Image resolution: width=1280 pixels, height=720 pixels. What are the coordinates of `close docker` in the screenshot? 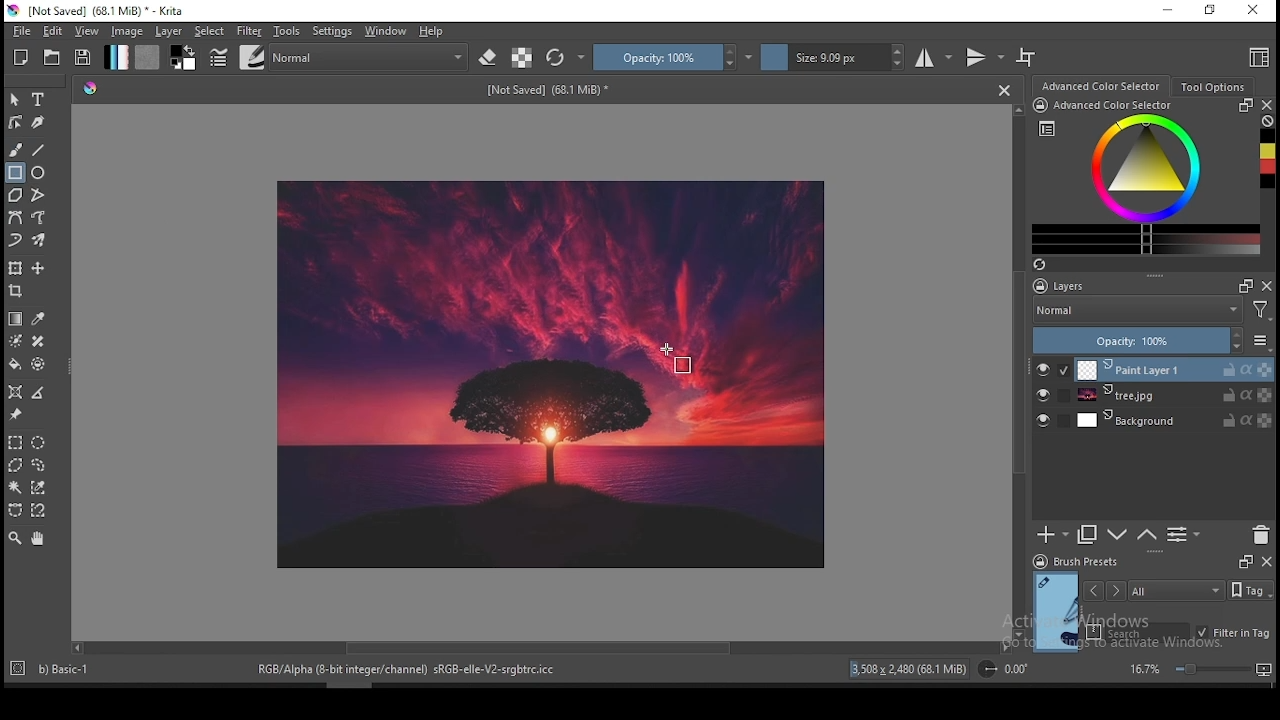 It's located at (1268, 286).